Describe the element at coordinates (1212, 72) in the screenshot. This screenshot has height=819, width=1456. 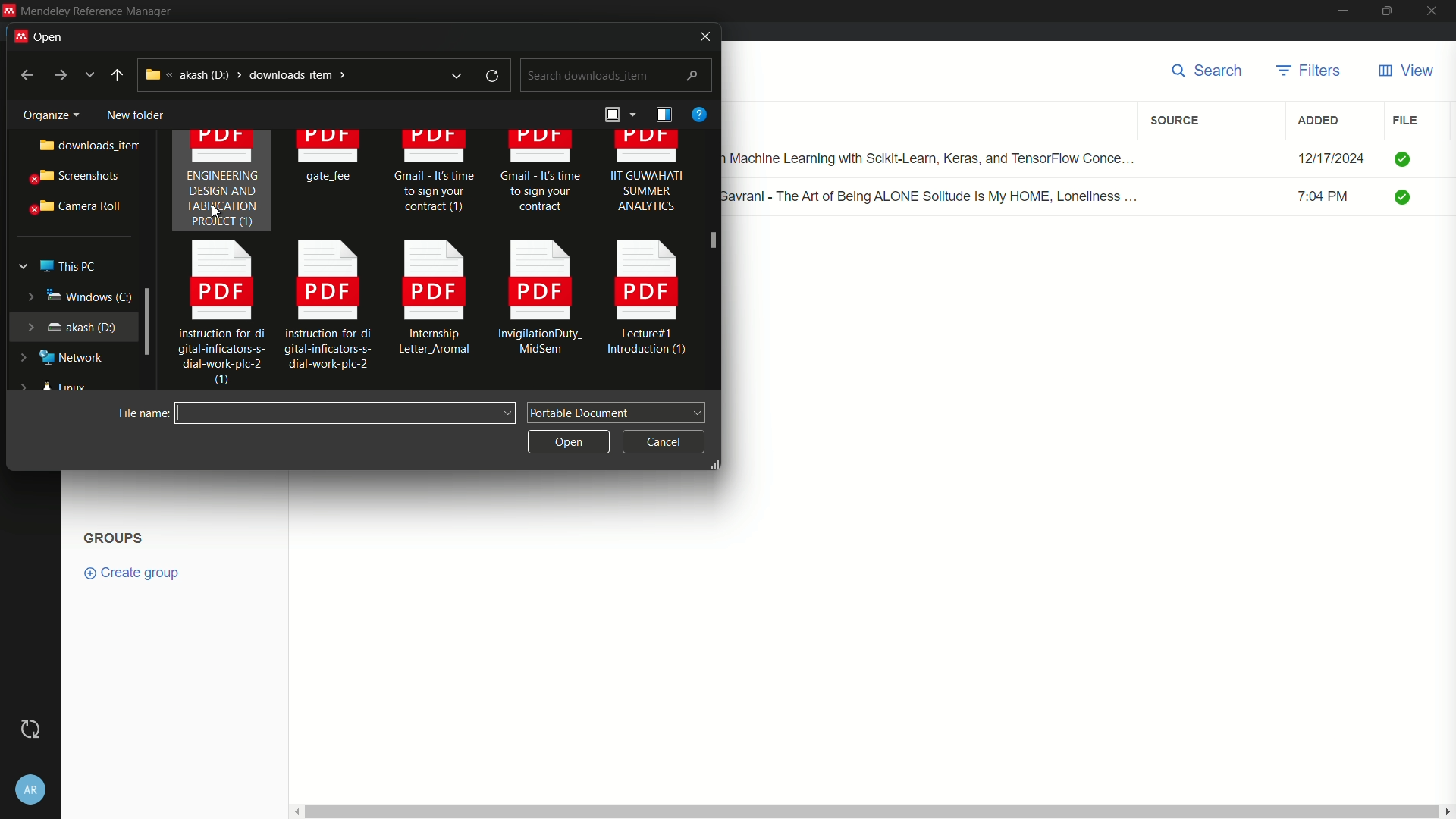
I see `search` at that location.